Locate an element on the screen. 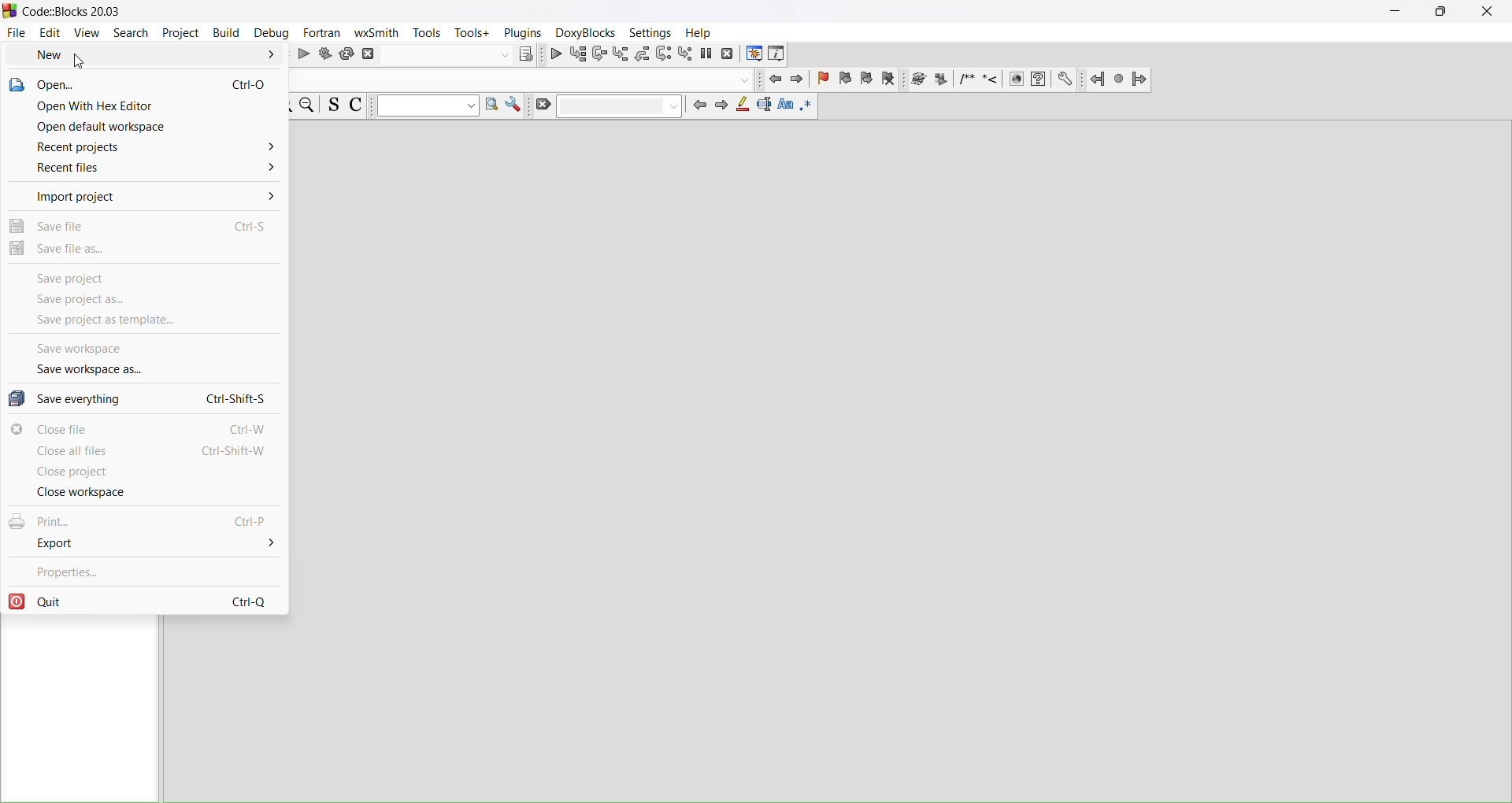 The image size is (1512, 803). show options window is located at coordinates (517, 105).